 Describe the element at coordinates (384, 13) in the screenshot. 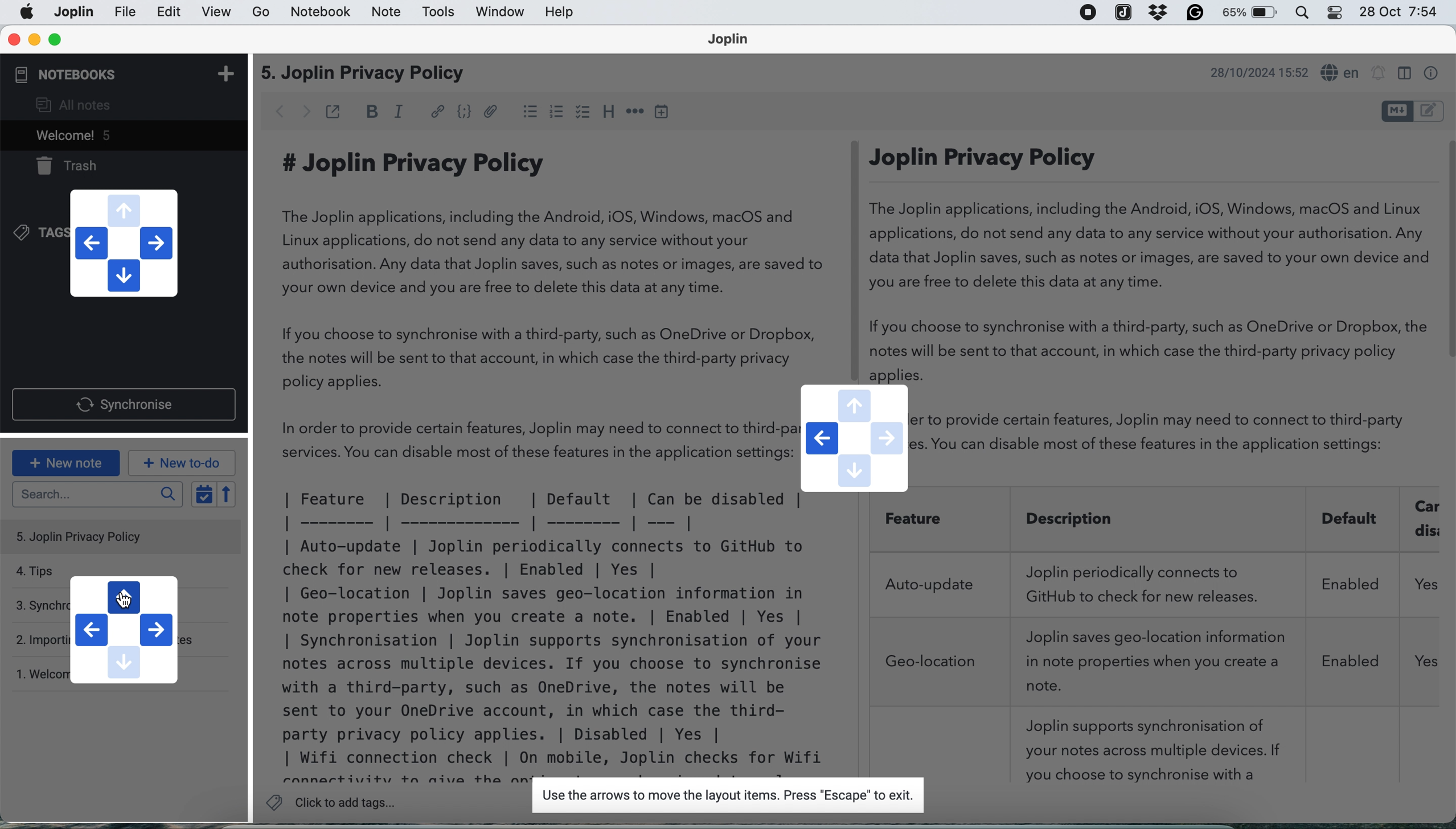

I see `note` at that location.